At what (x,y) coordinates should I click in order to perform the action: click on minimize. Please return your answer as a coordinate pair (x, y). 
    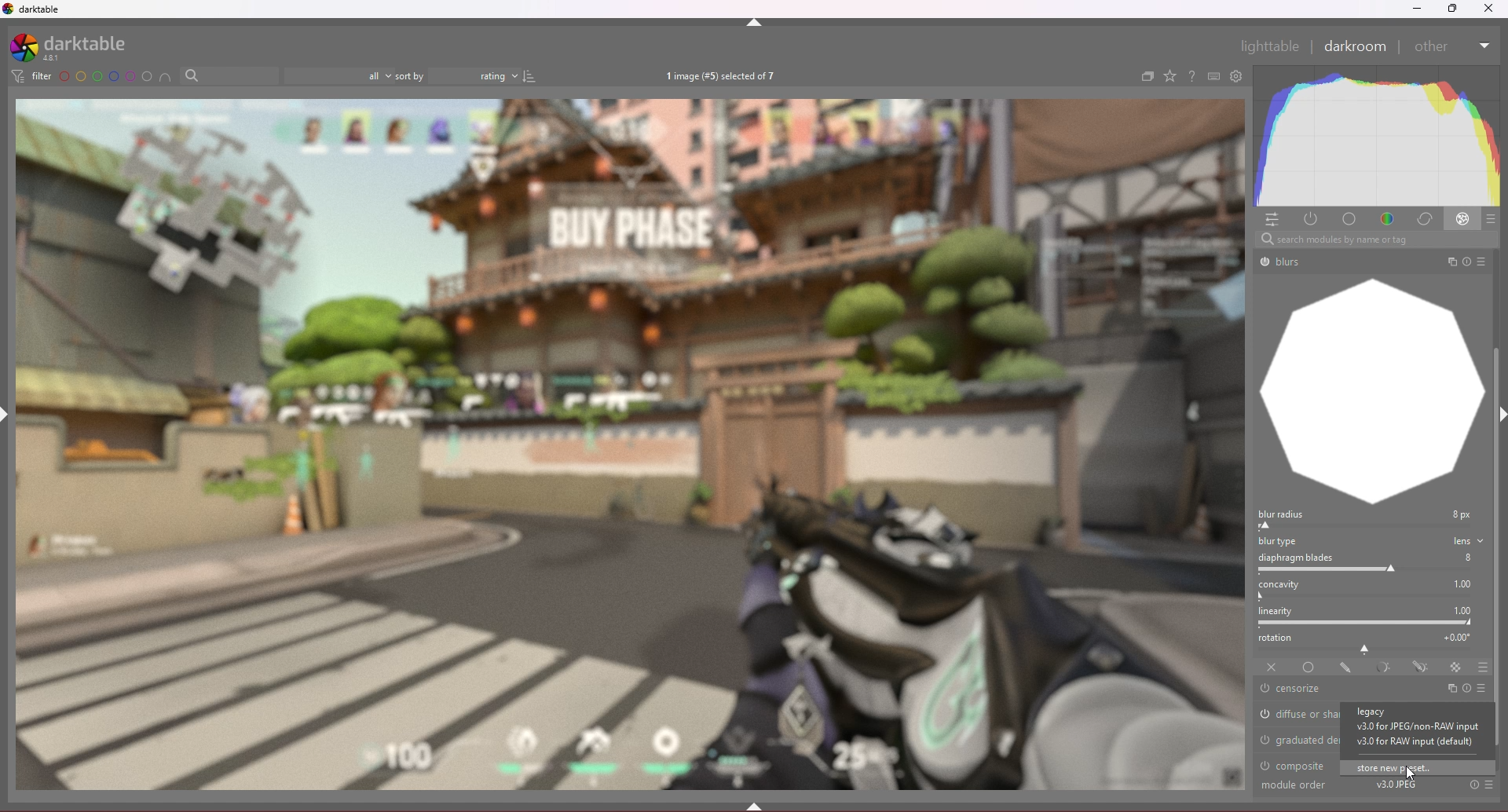
    Looking at the image, I should click on (1417, 9).